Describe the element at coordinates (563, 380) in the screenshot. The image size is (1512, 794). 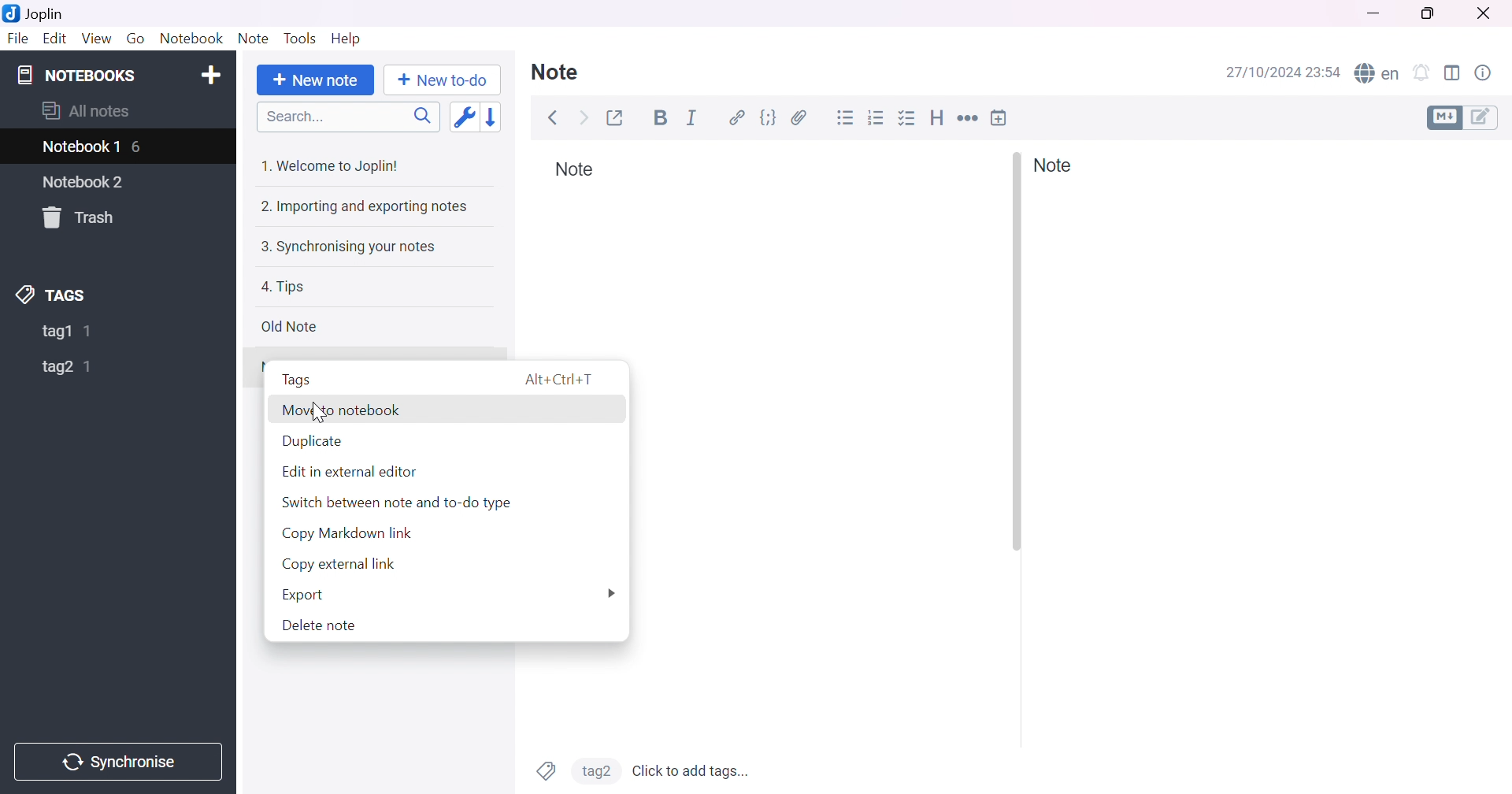
I see `Alt+Ctrl+T` at that location.